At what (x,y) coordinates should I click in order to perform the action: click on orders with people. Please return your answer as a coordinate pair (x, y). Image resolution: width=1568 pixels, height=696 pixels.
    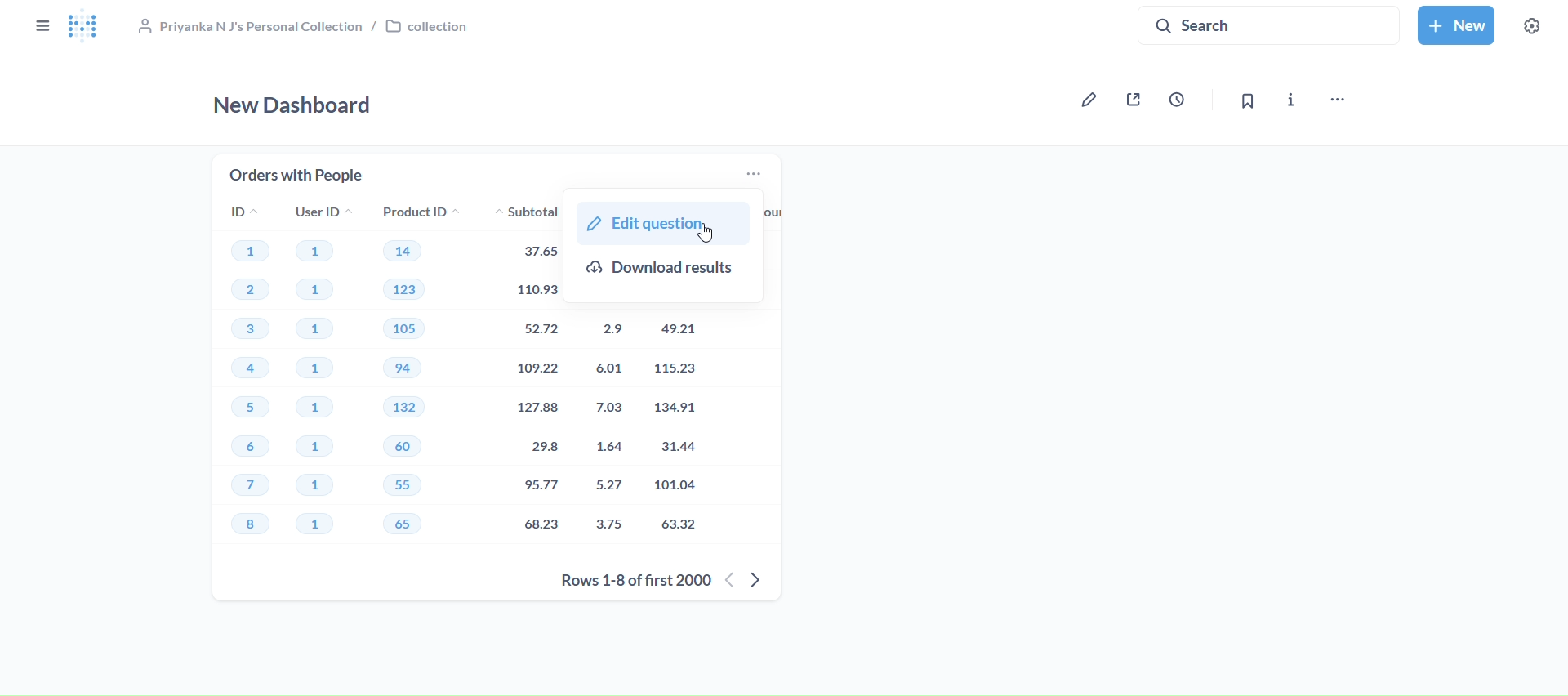
    Looking at the image, I should click on (296, 171).